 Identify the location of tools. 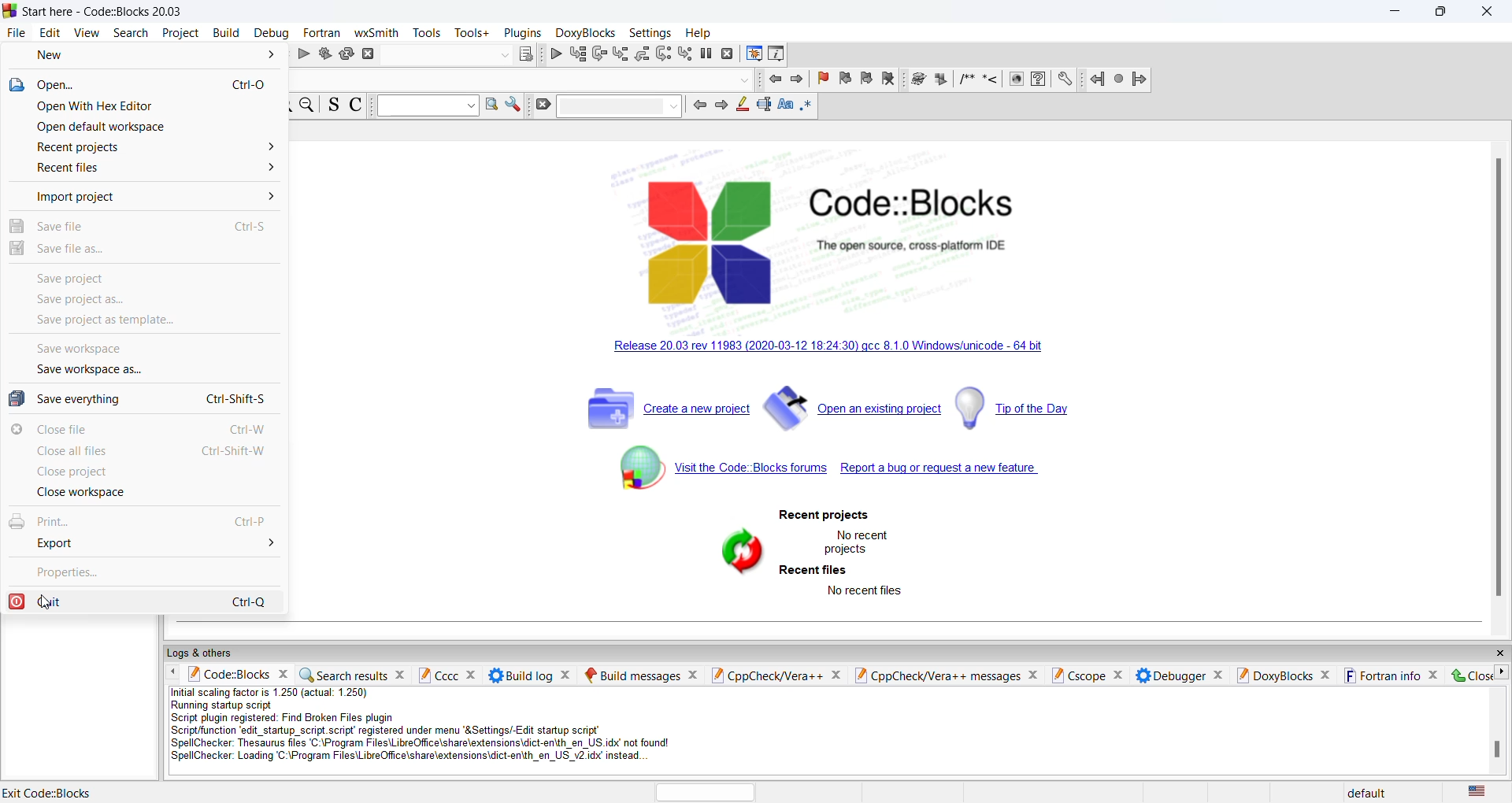
(428, 33).